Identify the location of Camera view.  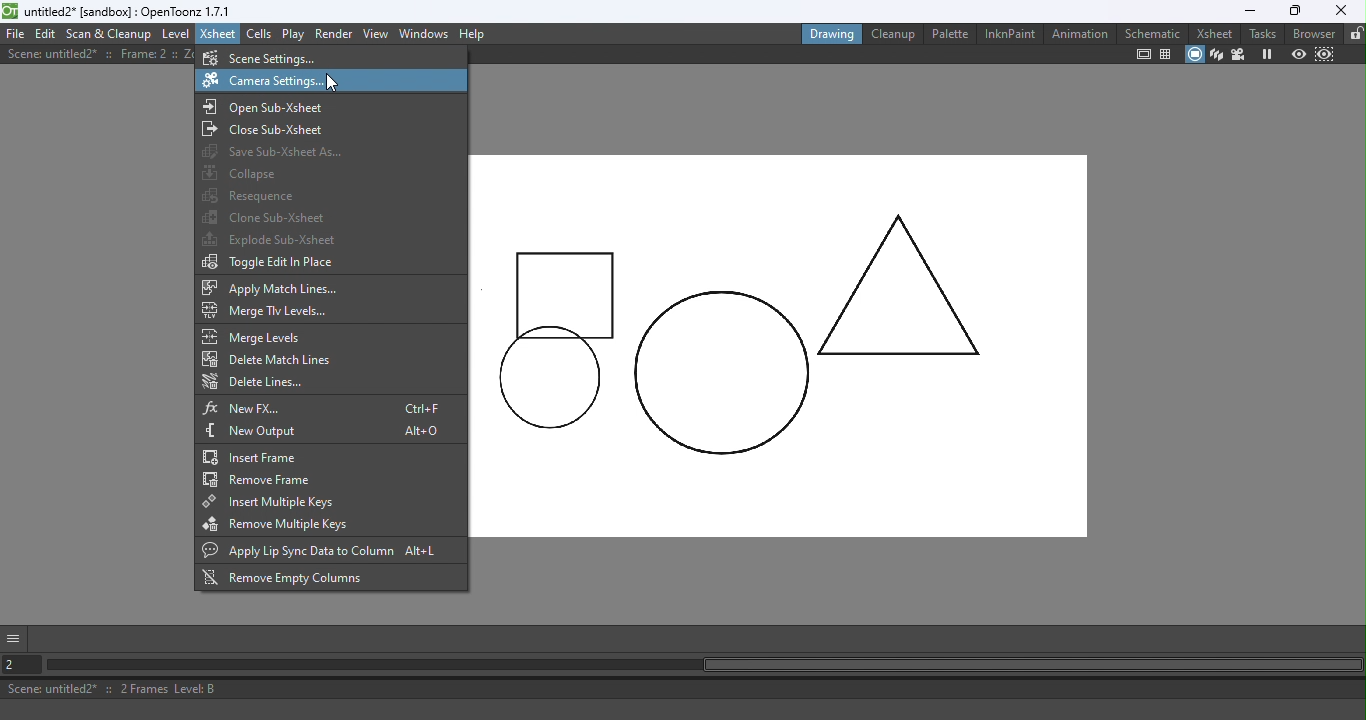
(1238, 55).